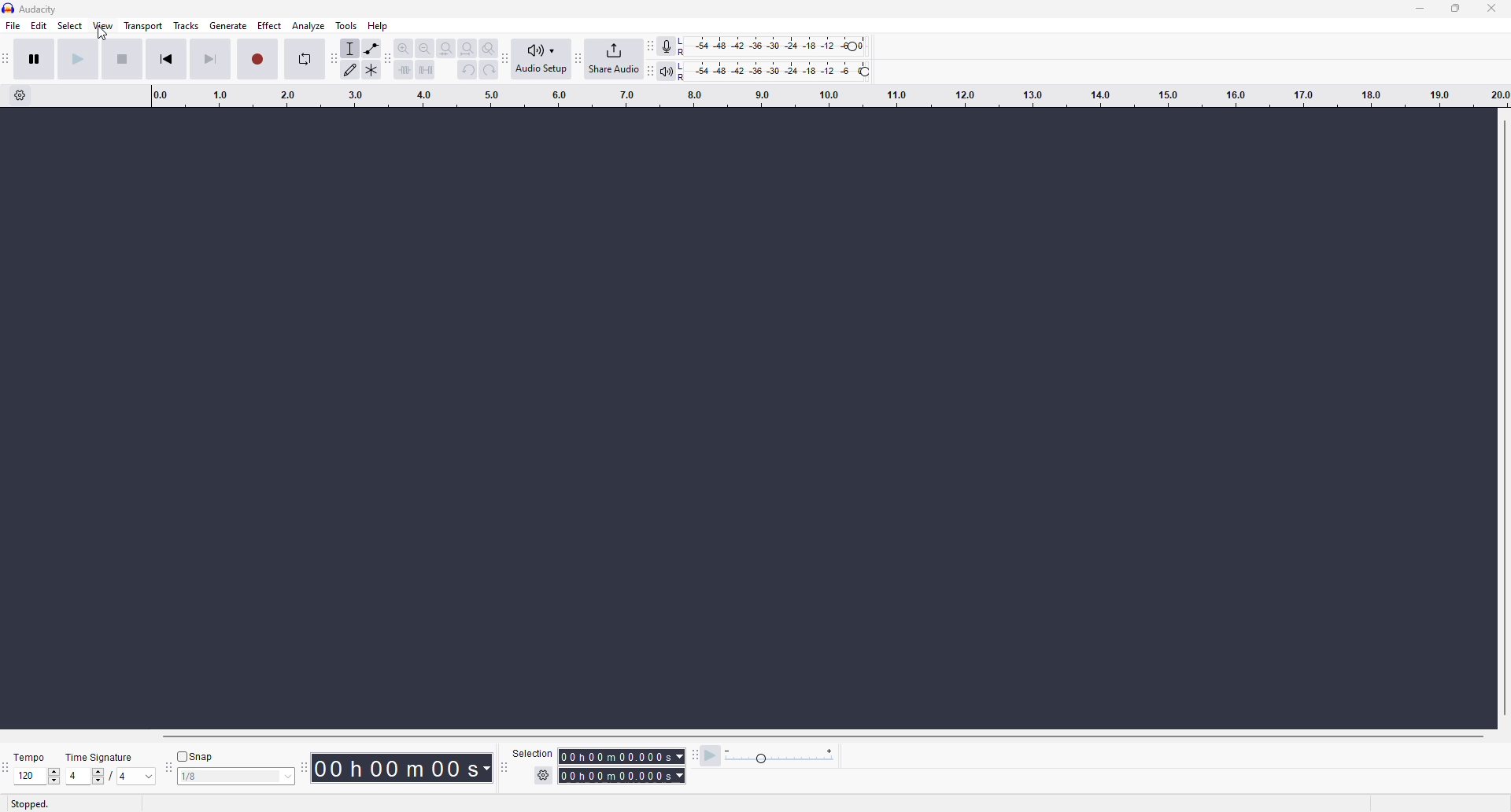  What do you see at coordinates (390, 57) in the screenshot?
I see `audacity edit toolbar` at bounding box center [390, 57].